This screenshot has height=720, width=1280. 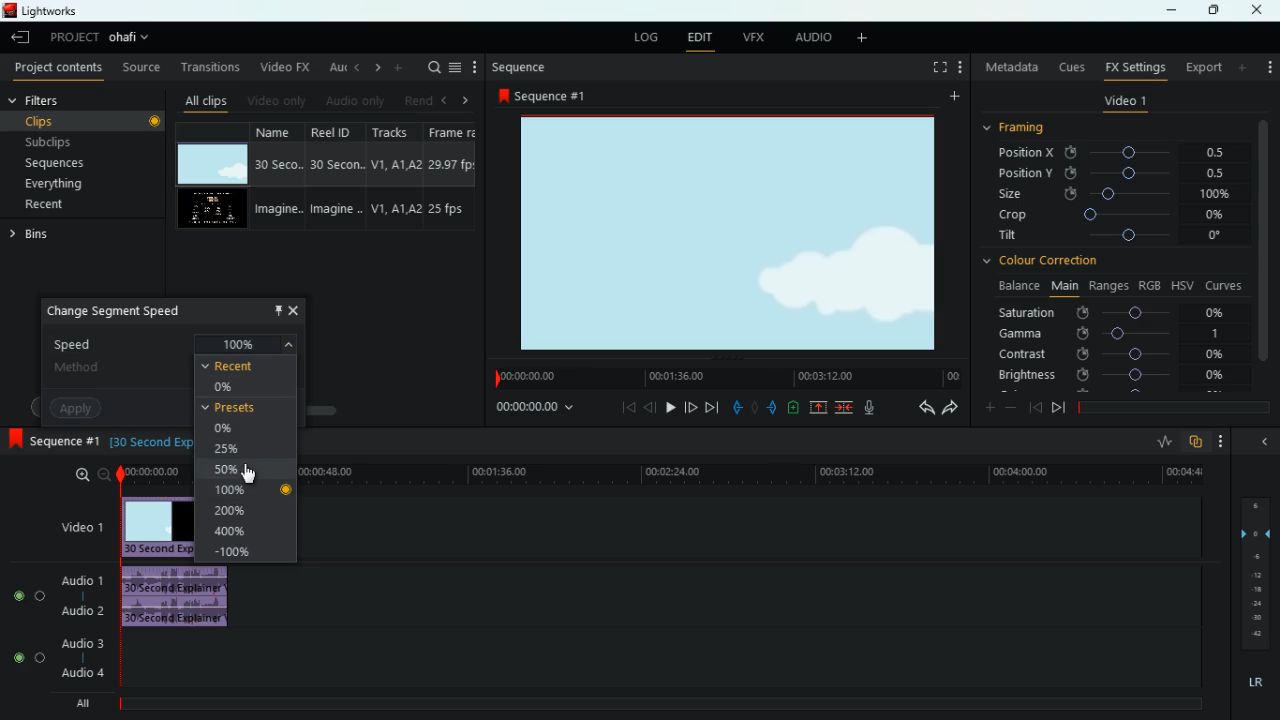 I want to click on -100, so click(x=242, y=553).